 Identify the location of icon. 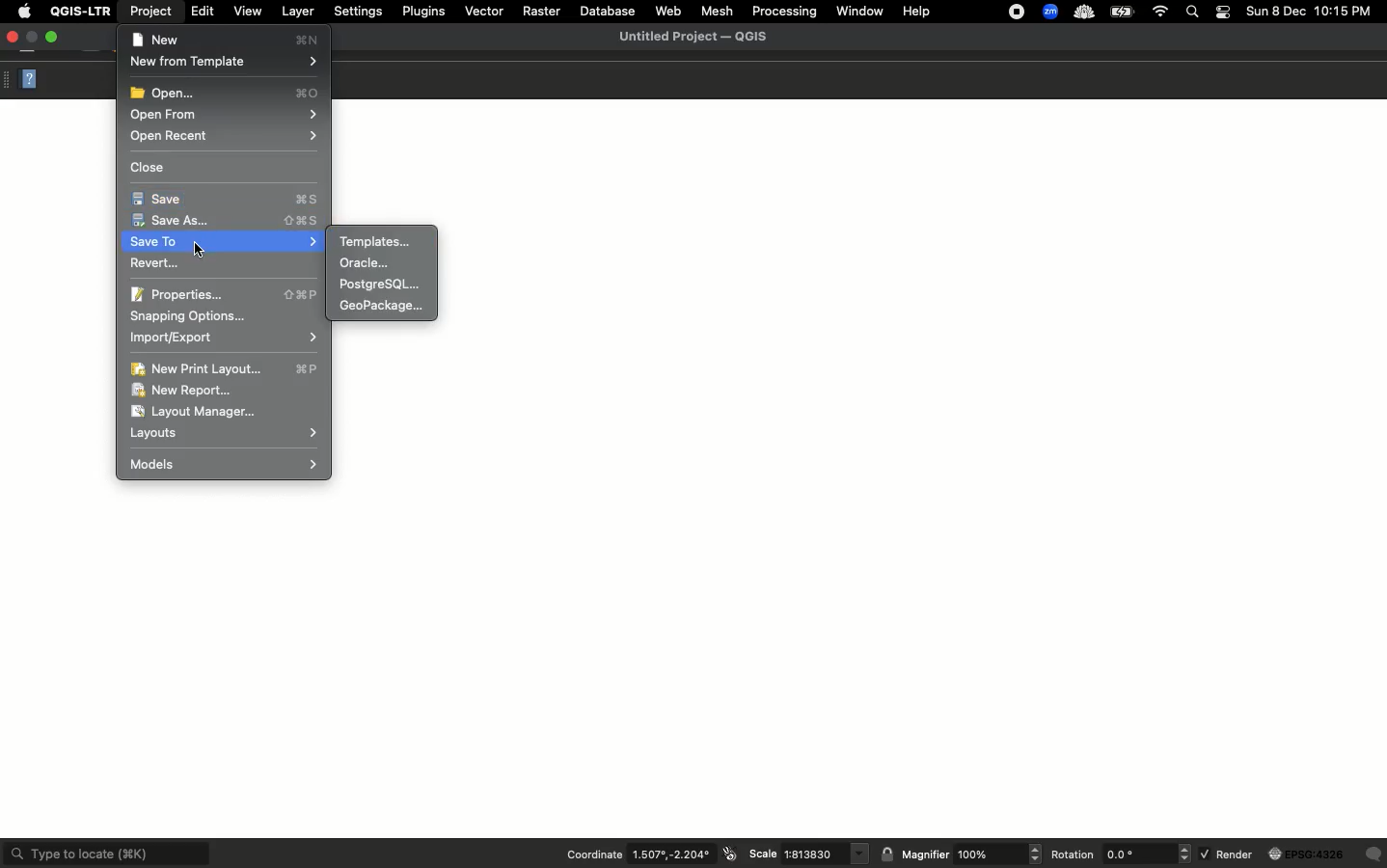
(729, 854).